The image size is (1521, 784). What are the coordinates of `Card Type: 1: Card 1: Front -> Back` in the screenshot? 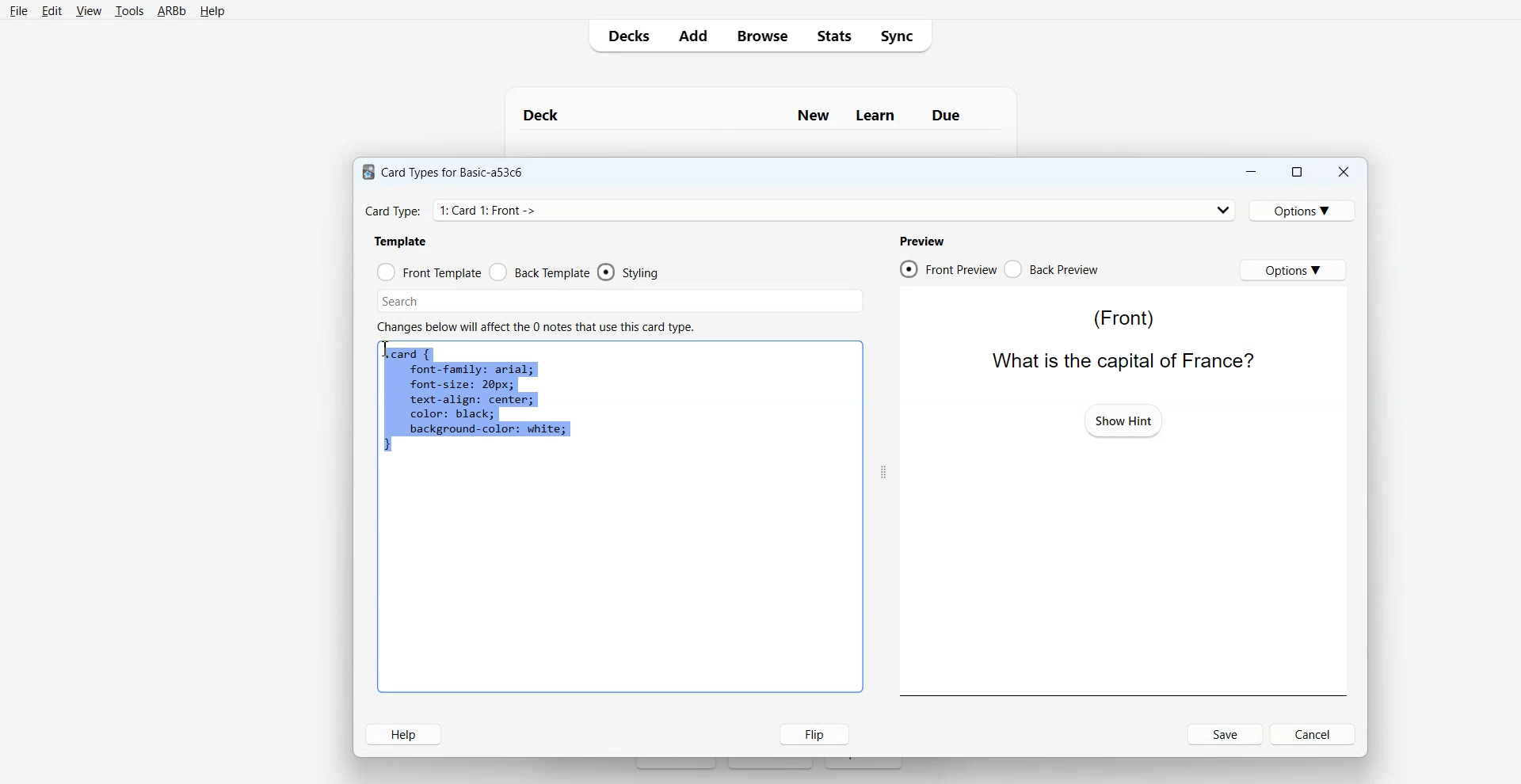 It's located at (509, 210).